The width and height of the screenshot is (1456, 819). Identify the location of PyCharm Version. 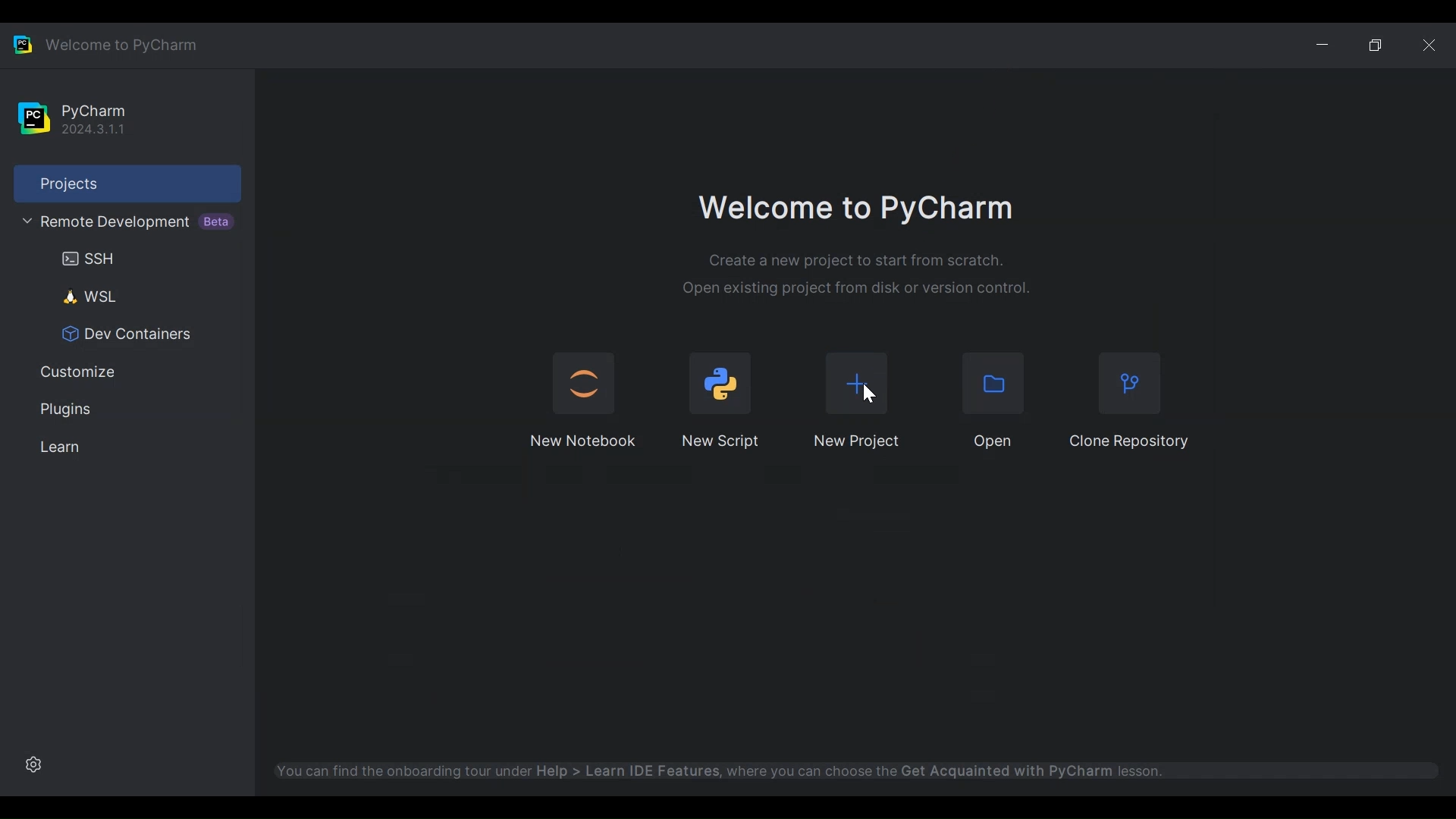
(92, 119).